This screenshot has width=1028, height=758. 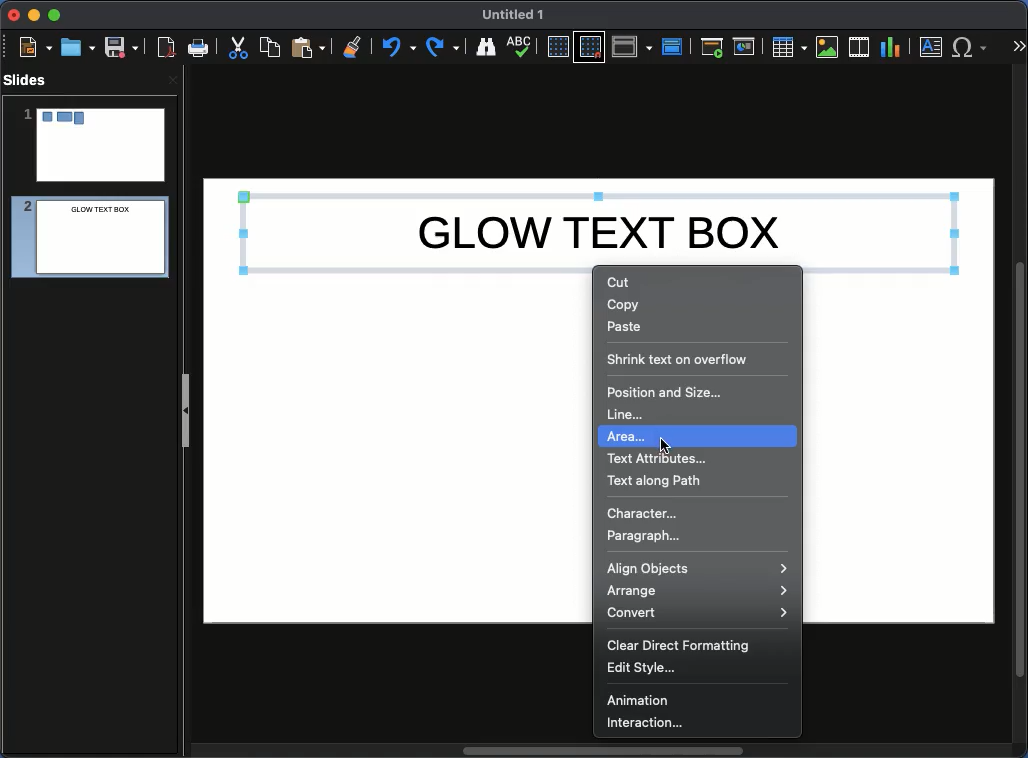 What do you see at coordinates (788, 46) in the screenshot?
I see `Table` at bounding box center [788, 46].